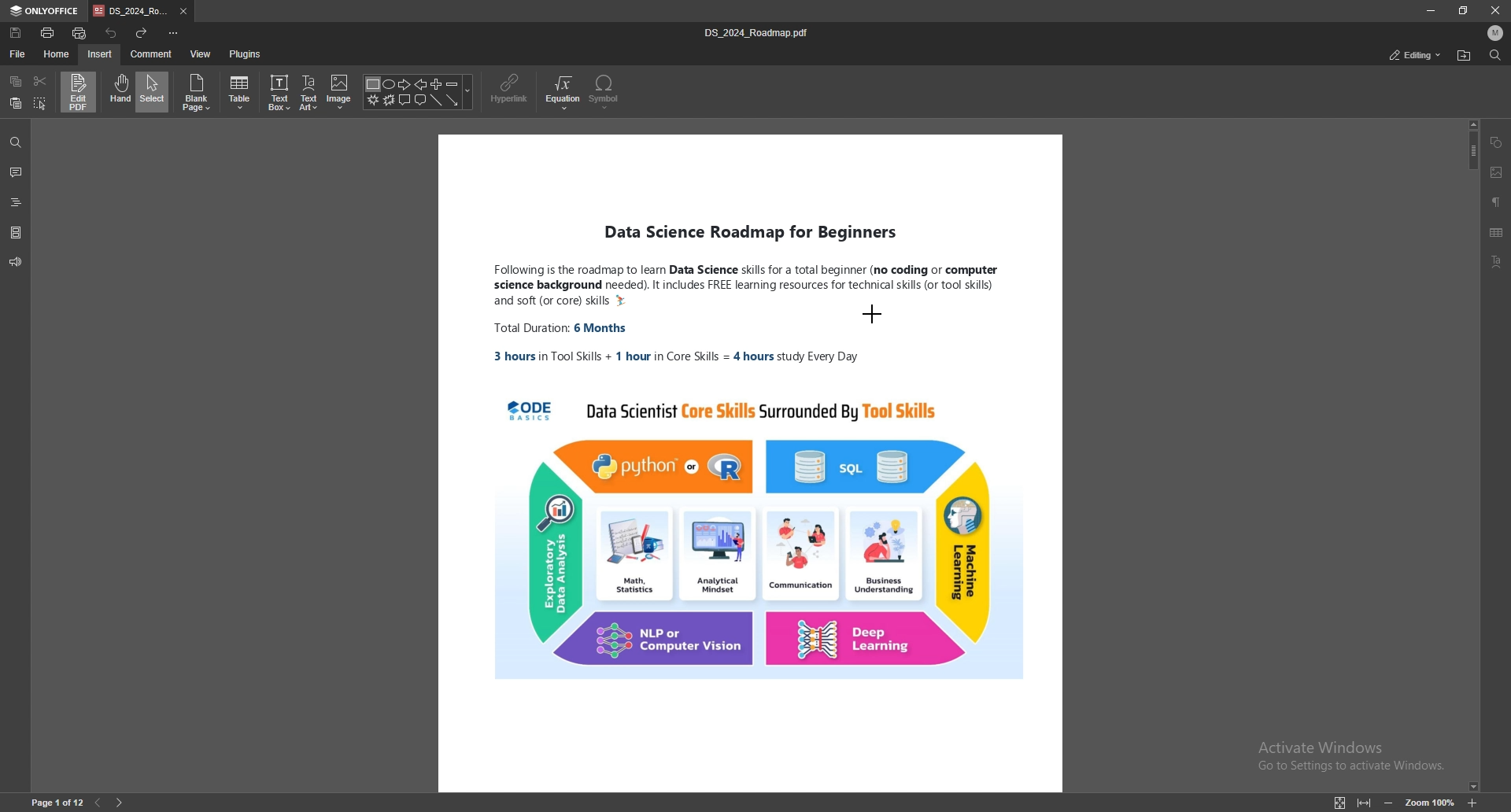 The height and width of the screenshot is (812, 1511). What do you see at coordinates (48, 32) in the screenshot?
I see `print` at bounding box center [48, 32].